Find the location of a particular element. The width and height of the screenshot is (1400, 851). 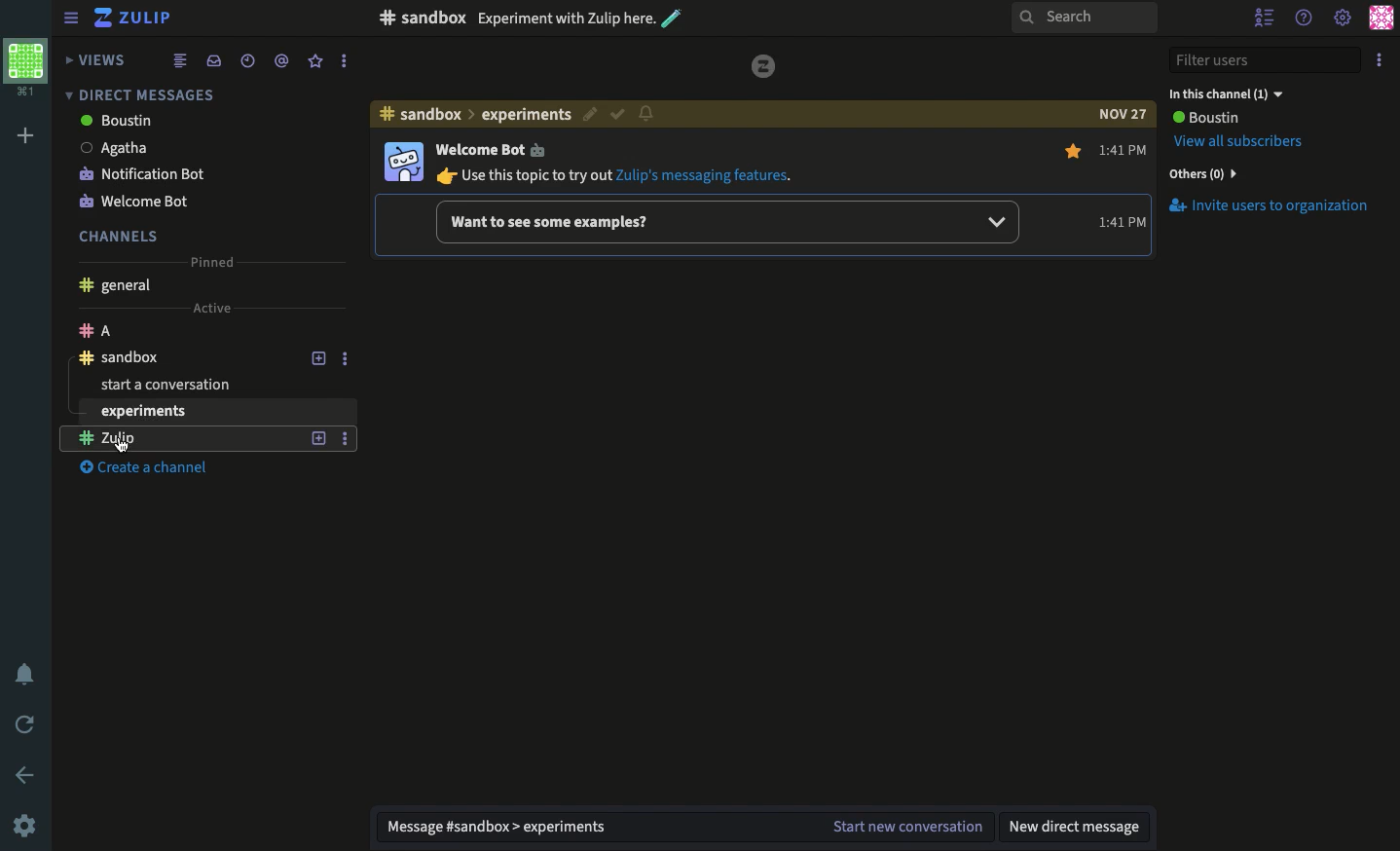

Inbox is located at coordinates (213, 60).